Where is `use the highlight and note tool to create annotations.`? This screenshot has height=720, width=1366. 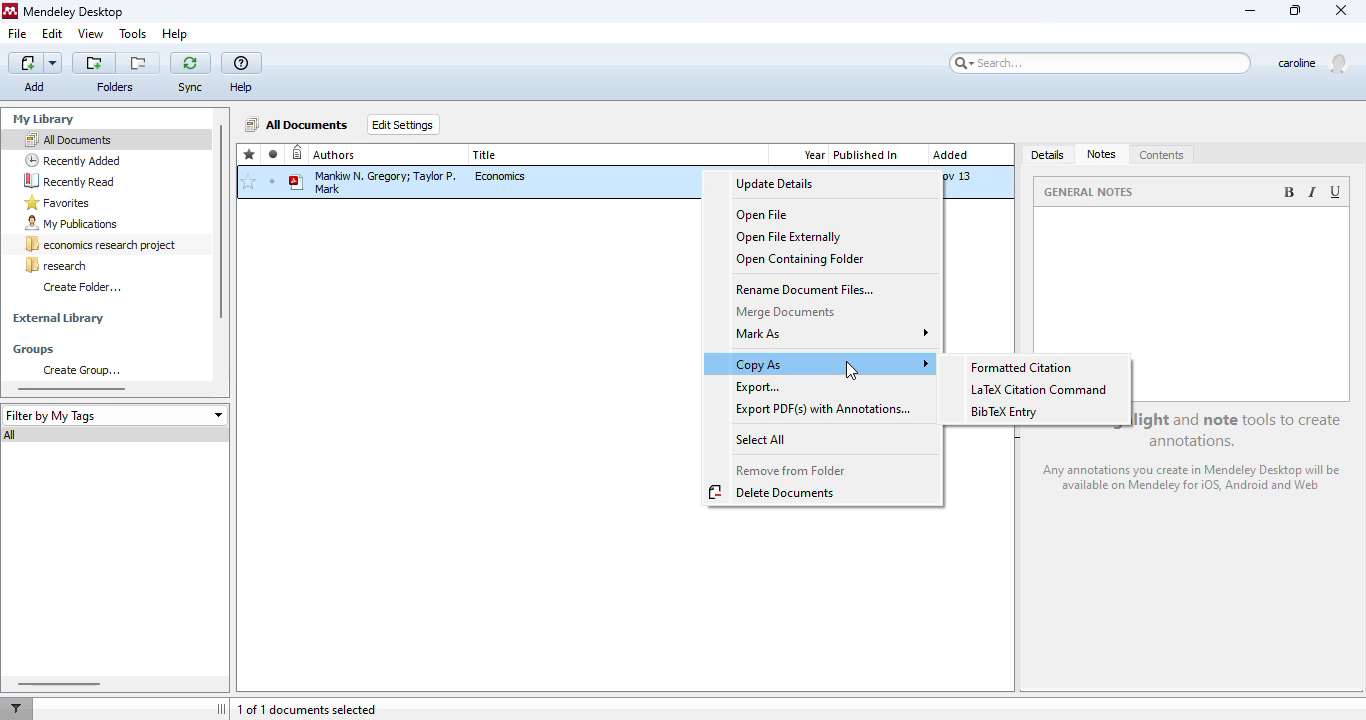
use the highlight and note tool to create annotations. is located at coordinates (1240, 429).